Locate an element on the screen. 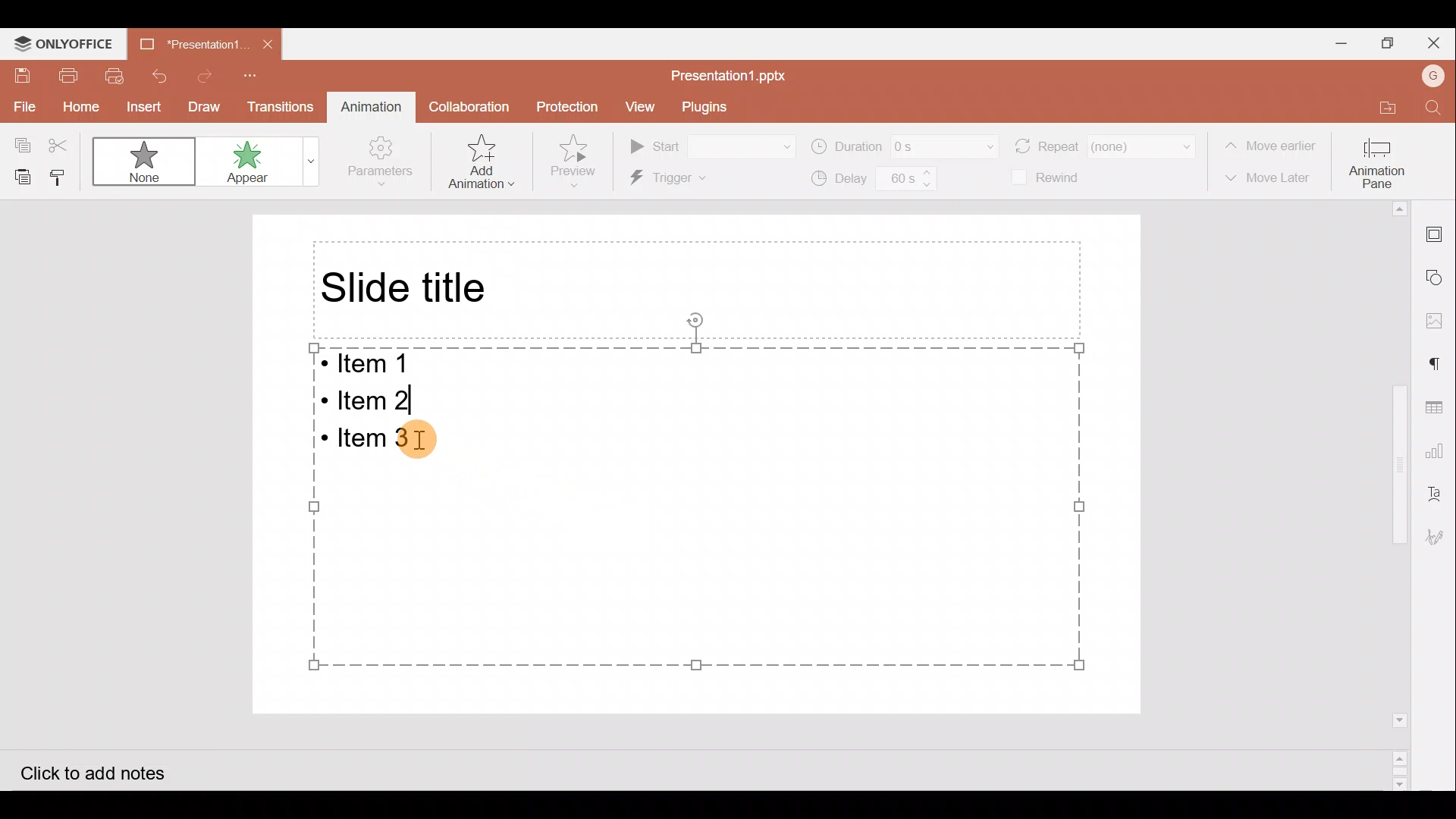 The width and height of the screenshot is (1456, 819). Account name is located at coordinates (1434, 78).